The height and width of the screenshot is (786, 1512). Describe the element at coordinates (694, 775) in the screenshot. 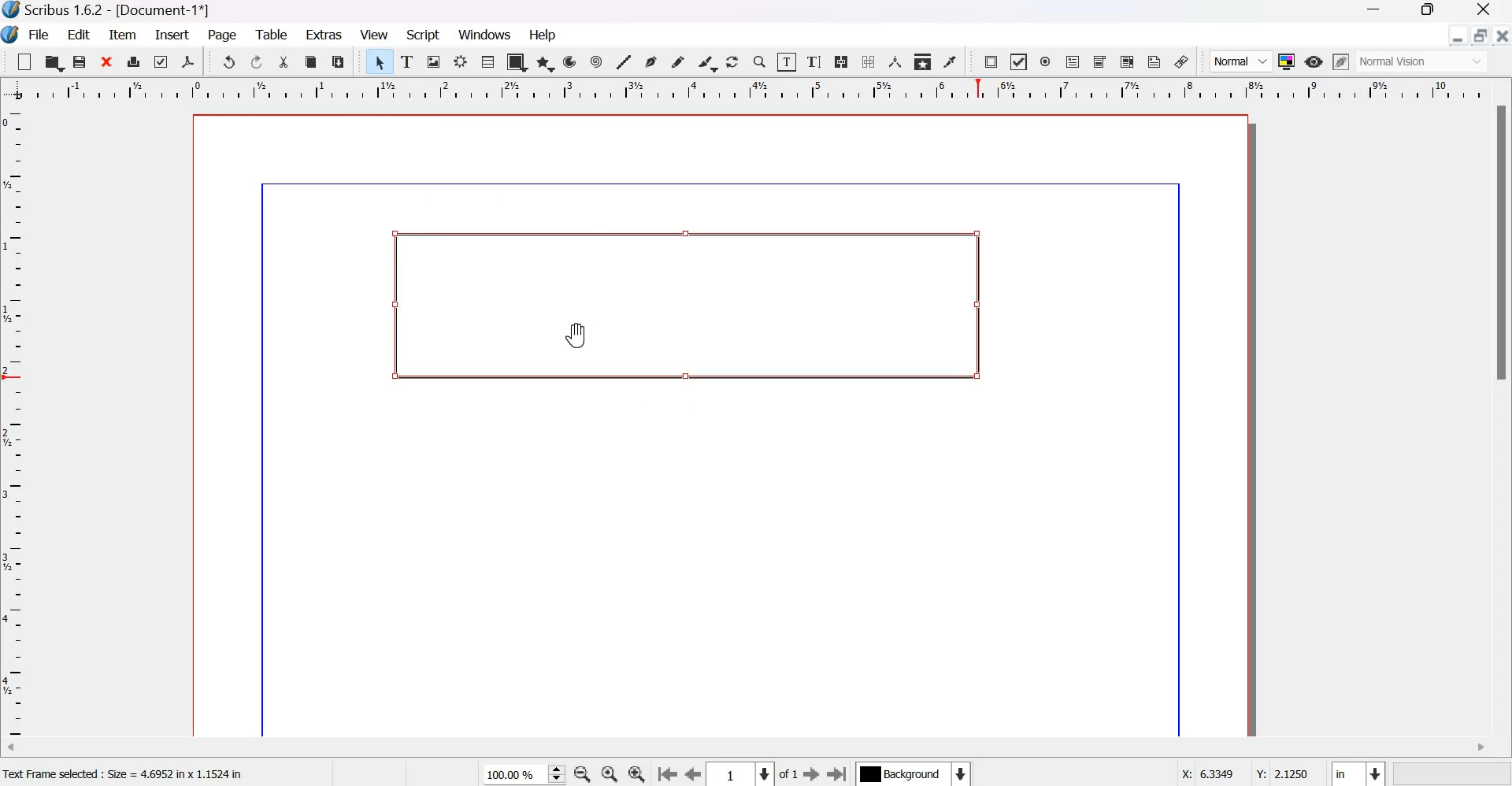

I see `go to the previous page` at that location.